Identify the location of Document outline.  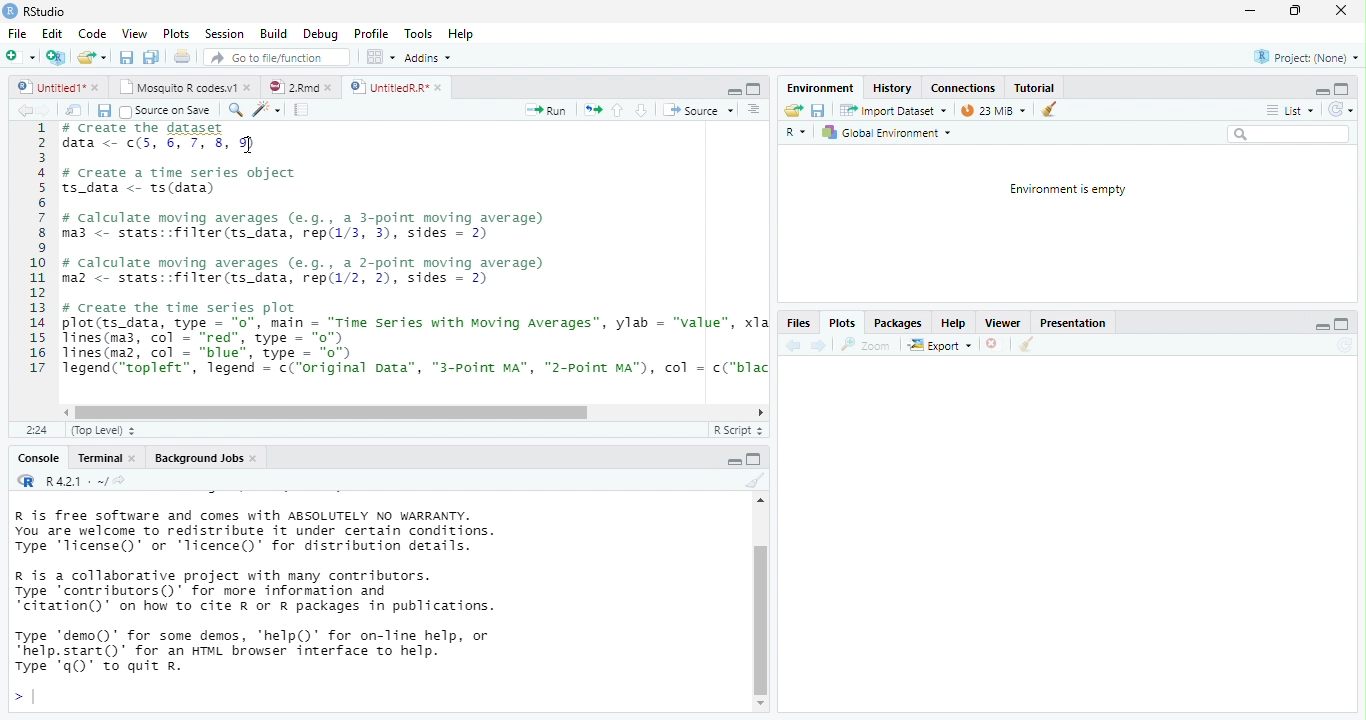
(755, 110).